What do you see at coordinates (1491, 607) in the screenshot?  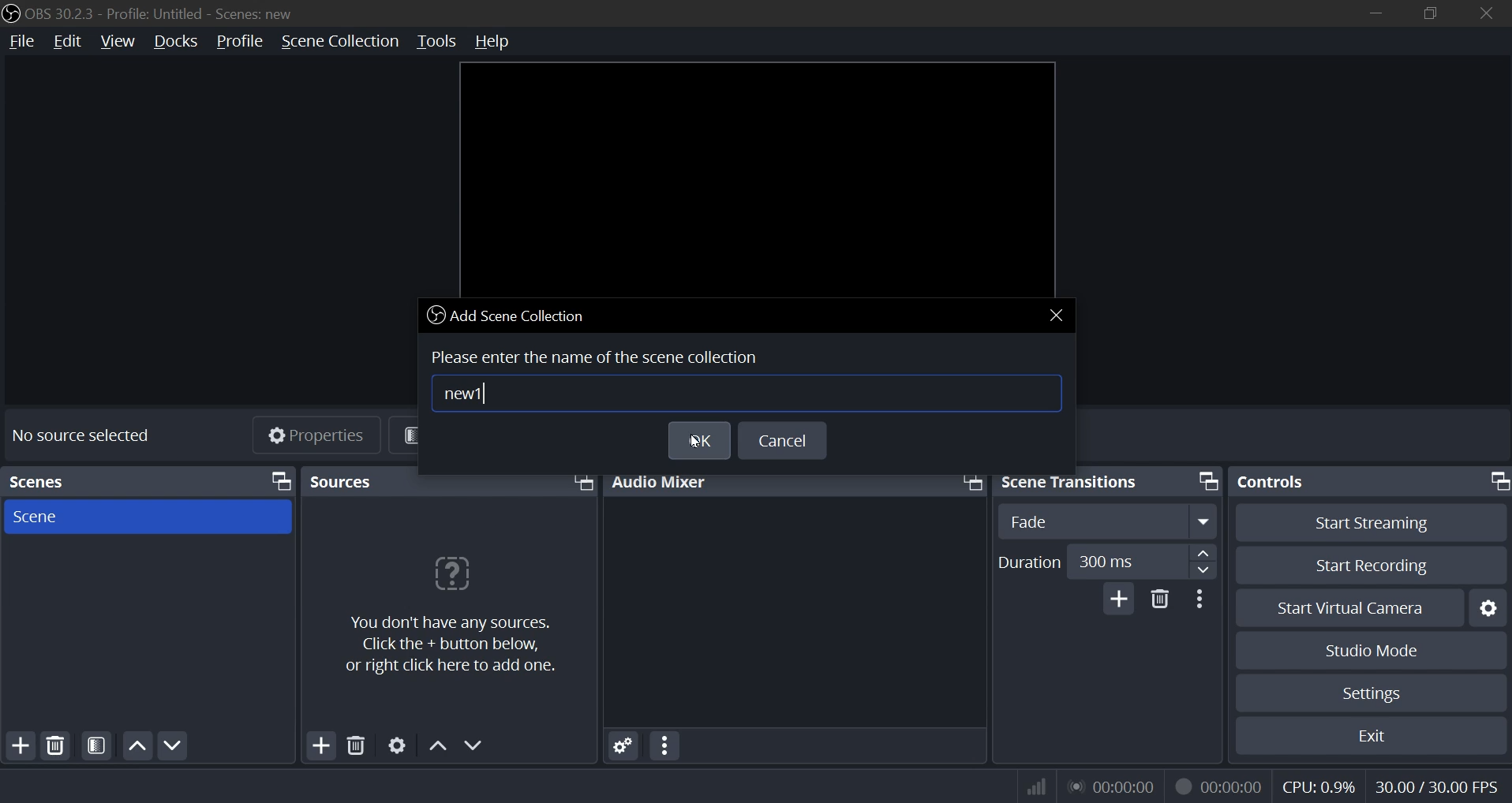 I see `settings` at bounding box center [1491, 607].